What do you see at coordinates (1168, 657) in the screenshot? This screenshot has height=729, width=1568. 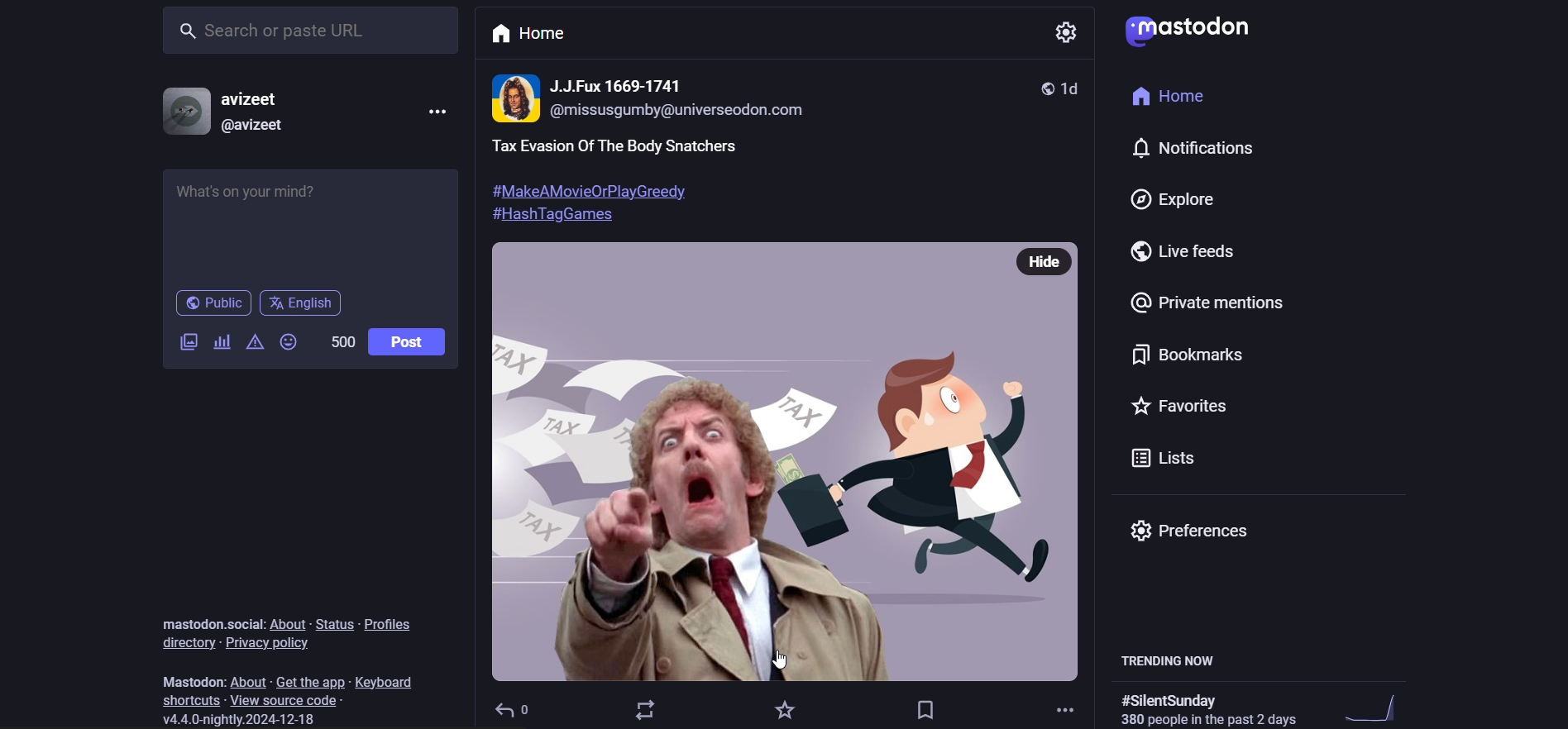 I see `trending now` at bounding box center [1168, 657].